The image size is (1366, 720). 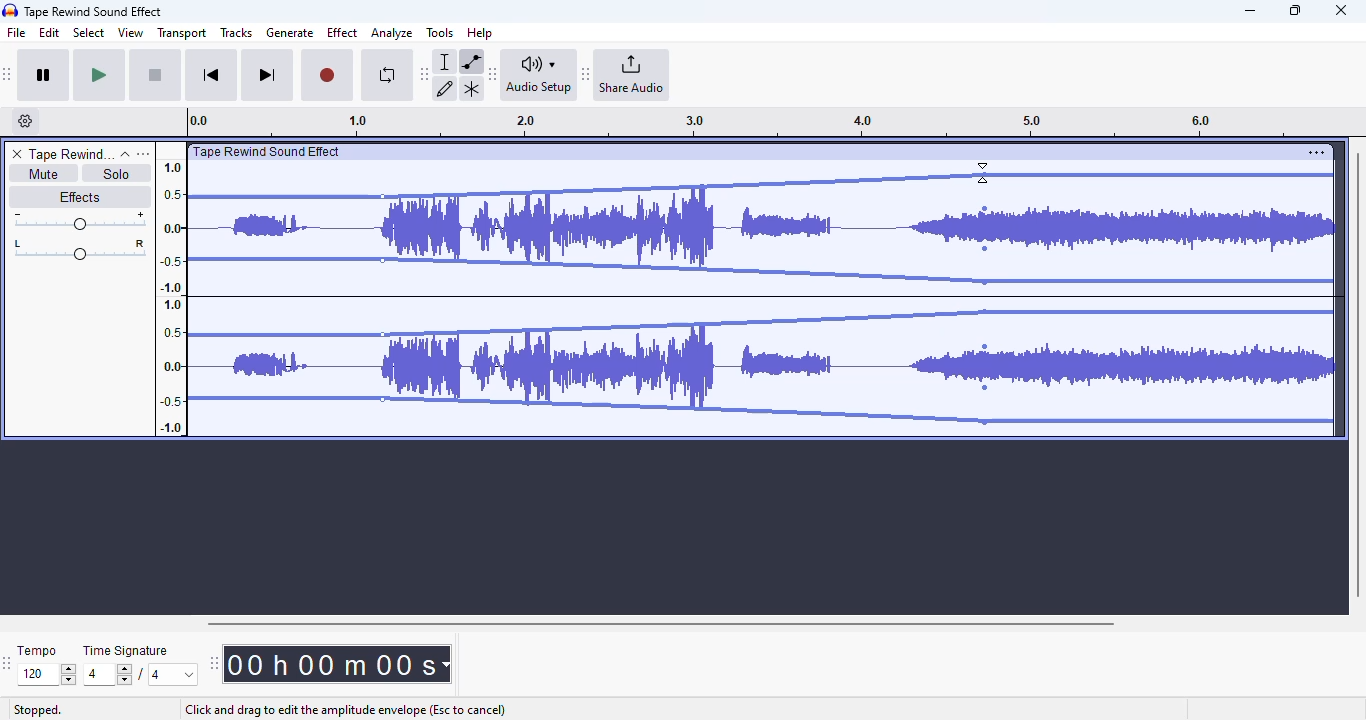 What do you see at coordinates (42, 174) in the screenshot?
I see `mute` at bounding box center [42, 174].